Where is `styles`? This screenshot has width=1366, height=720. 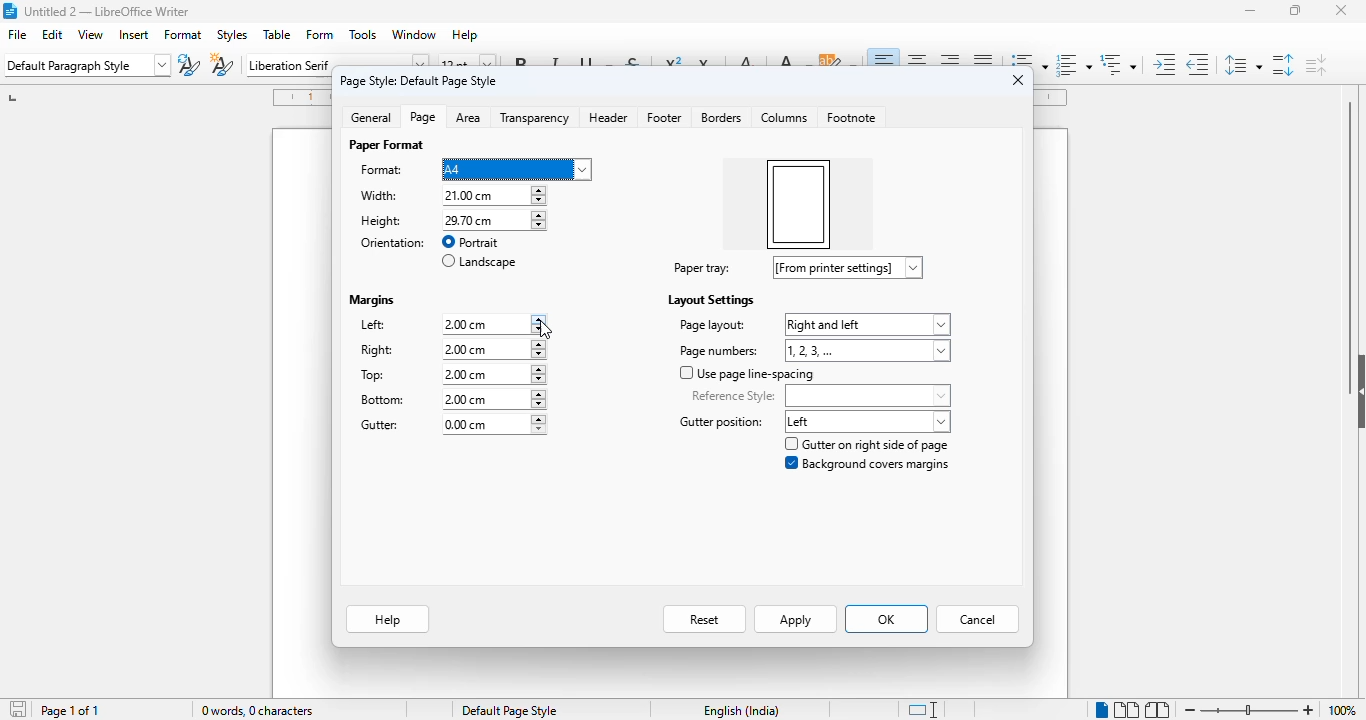 styles is located at coordinates (233, 35).